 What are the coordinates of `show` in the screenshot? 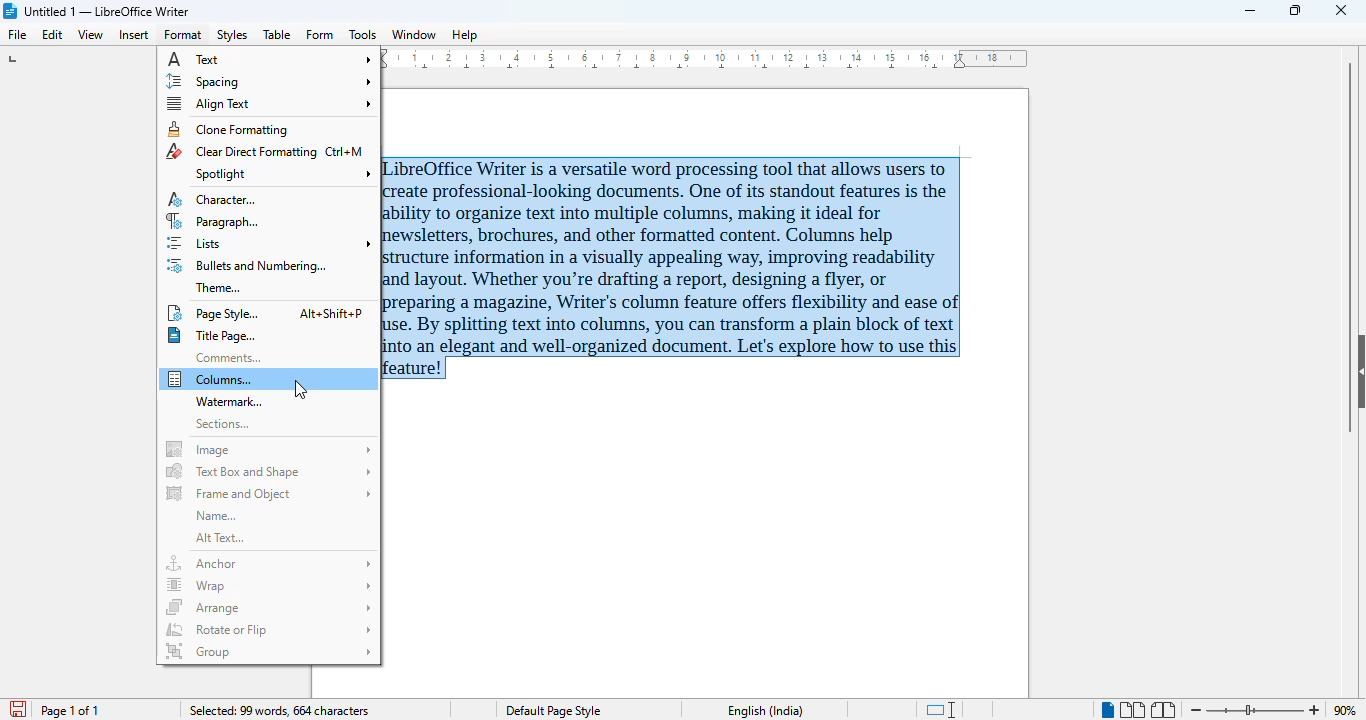 It's located at (1357, 370).